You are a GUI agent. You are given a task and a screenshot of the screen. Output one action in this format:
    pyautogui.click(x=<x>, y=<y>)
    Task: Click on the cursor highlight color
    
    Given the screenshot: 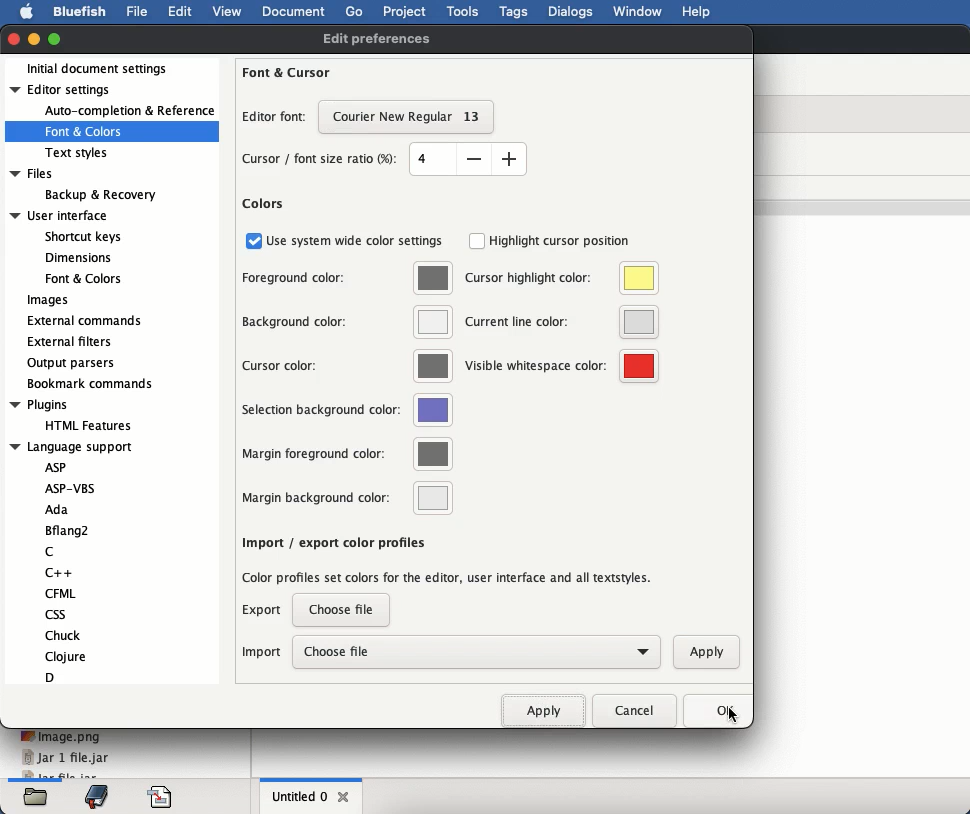 What is the action you would take?
    pyautogui.click(x=561, y=279)
    